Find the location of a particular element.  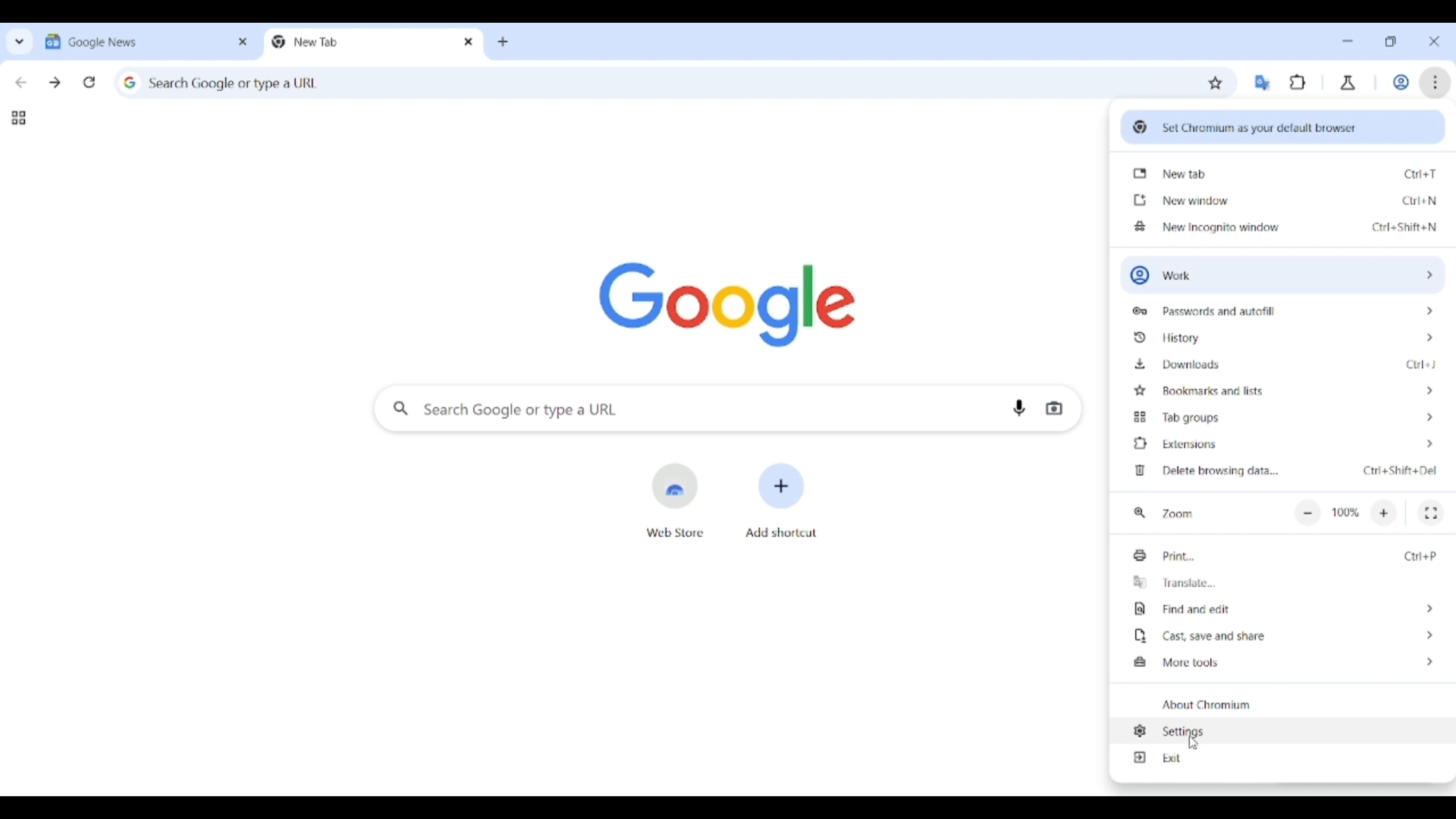

Go forward is located at coordinates (55, 83).